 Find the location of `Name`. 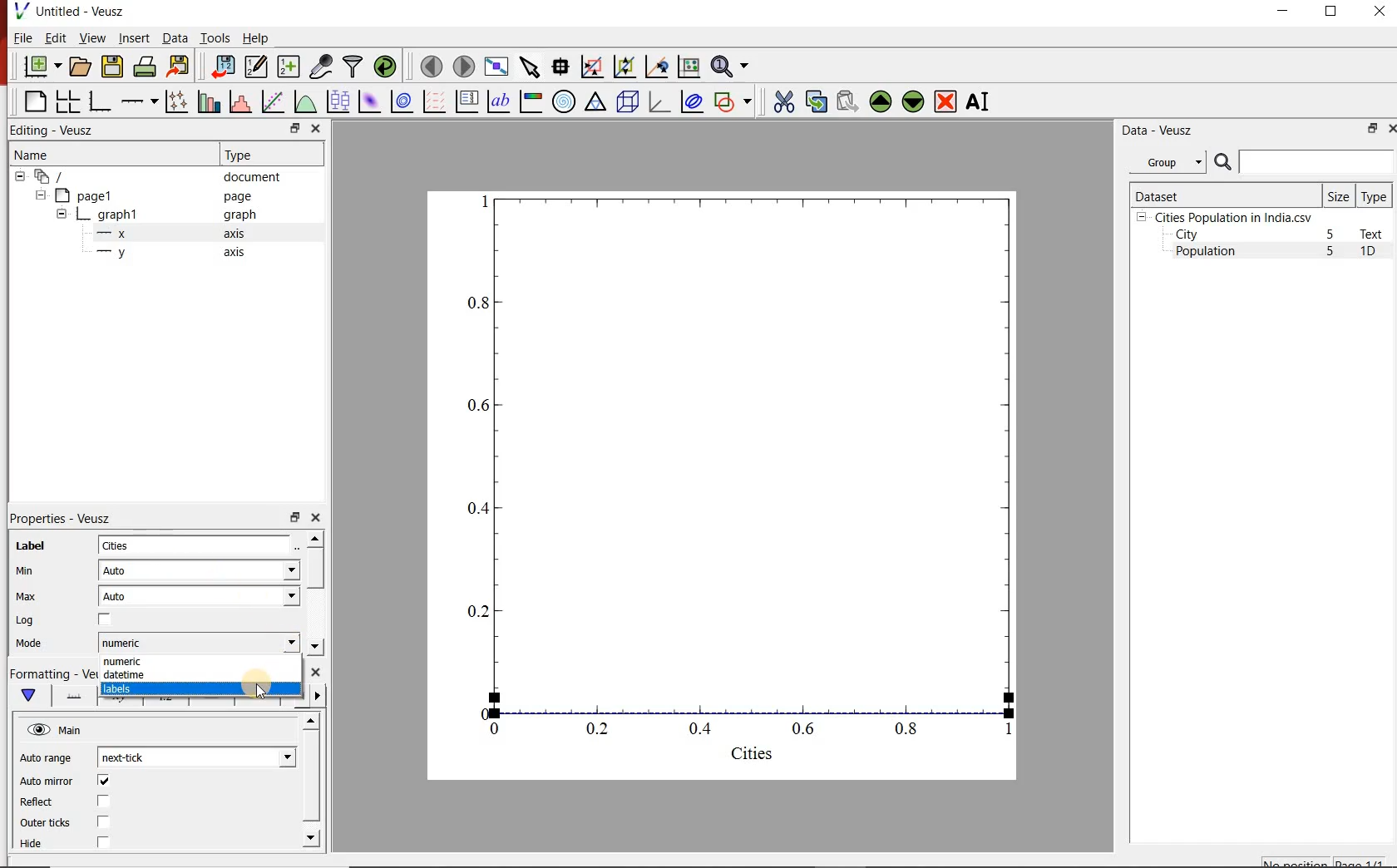

Name is located at coordinates (94, 154).